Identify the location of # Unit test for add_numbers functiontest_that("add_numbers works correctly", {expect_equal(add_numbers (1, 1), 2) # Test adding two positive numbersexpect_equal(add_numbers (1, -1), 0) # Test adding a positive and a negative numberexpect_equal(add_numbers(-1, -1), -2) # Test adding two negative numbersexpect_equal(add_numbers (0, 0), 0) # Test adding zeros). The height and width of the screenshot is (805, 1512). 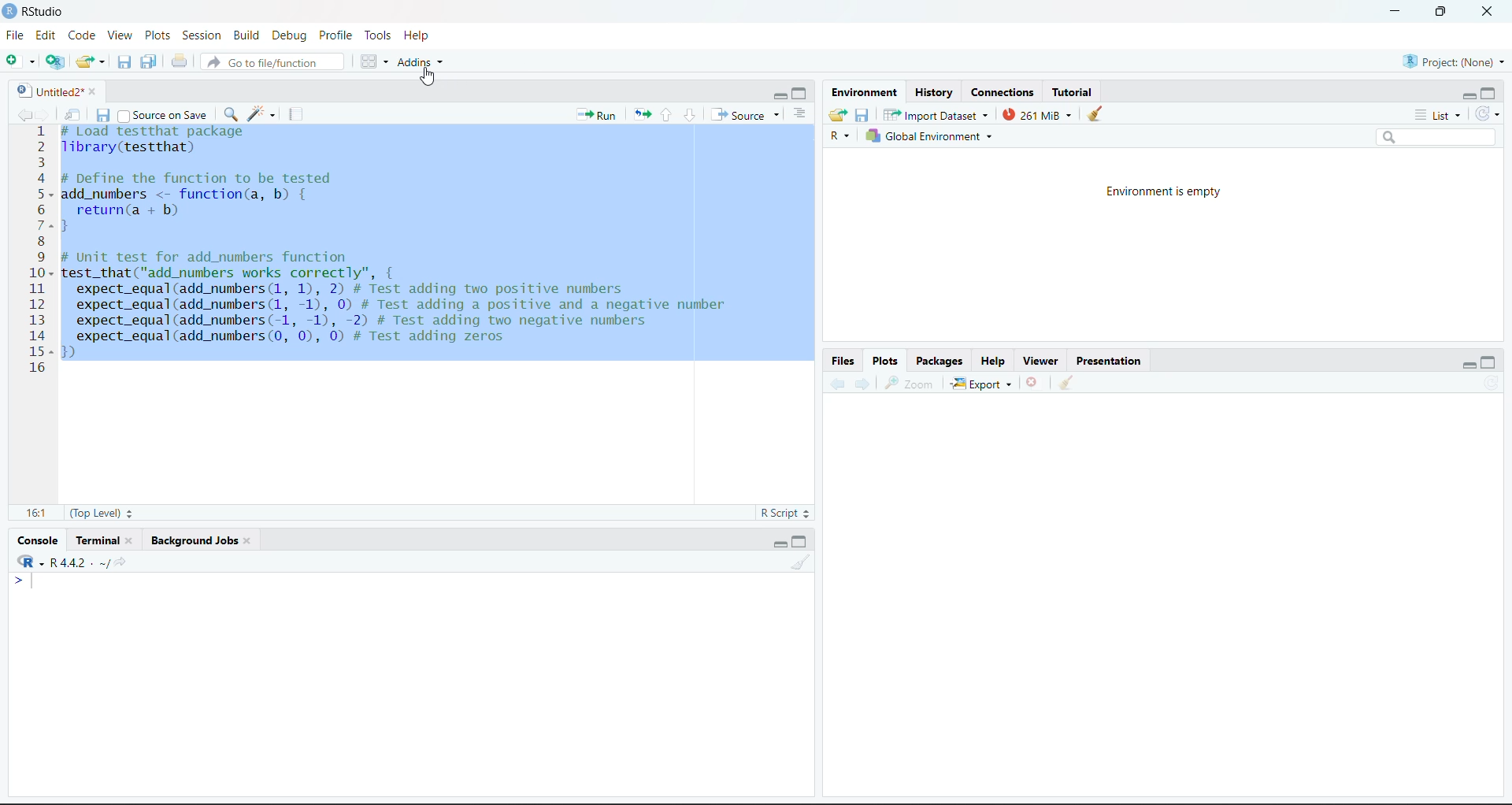
(398, 305).